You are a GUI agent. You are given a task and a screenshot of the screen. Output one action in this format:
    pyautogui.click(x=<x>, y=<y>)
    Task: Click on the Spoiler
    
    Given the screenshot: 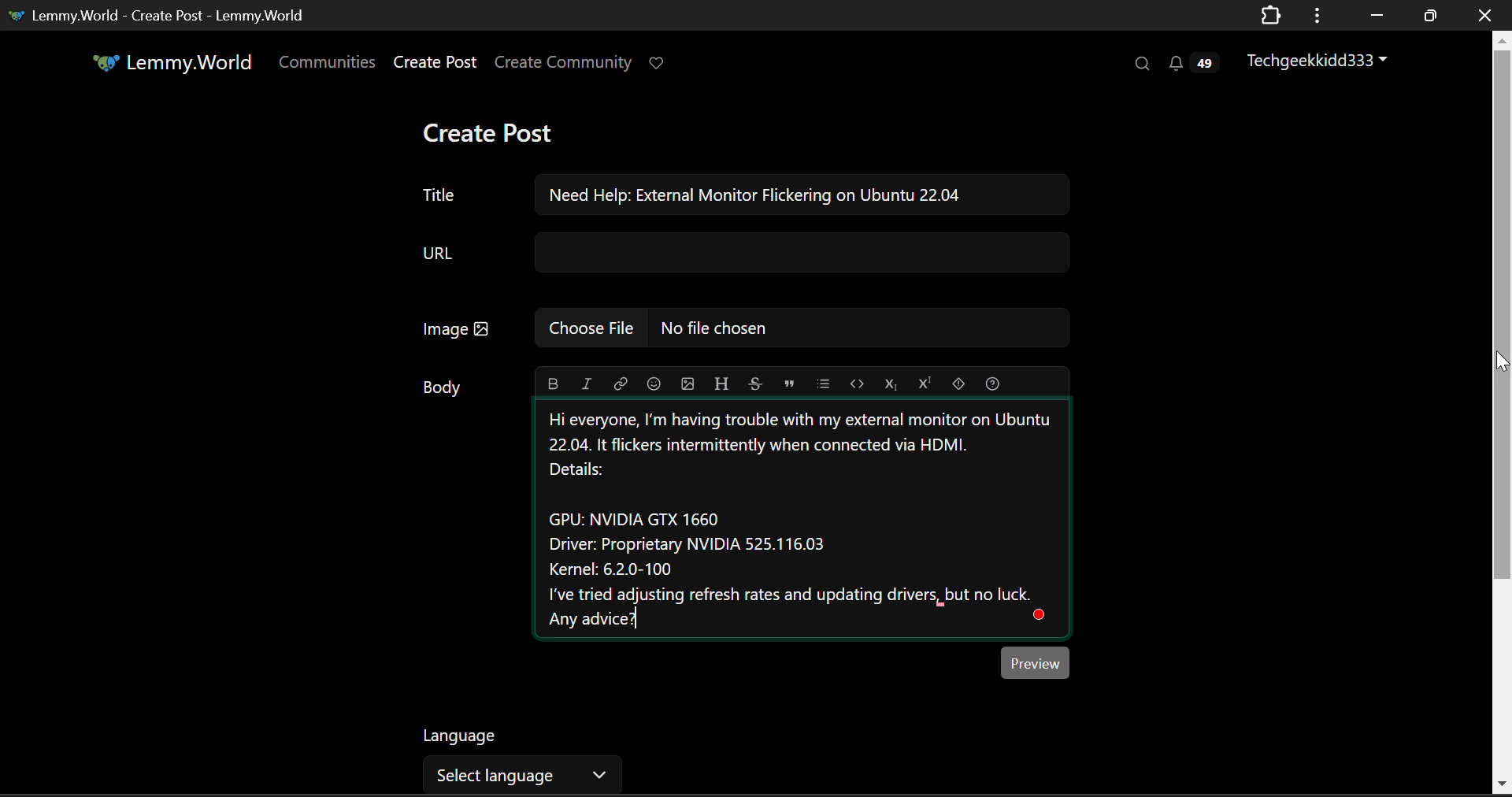 What is the action you would take?
    pyautogui.click(x=958, y=385)
    